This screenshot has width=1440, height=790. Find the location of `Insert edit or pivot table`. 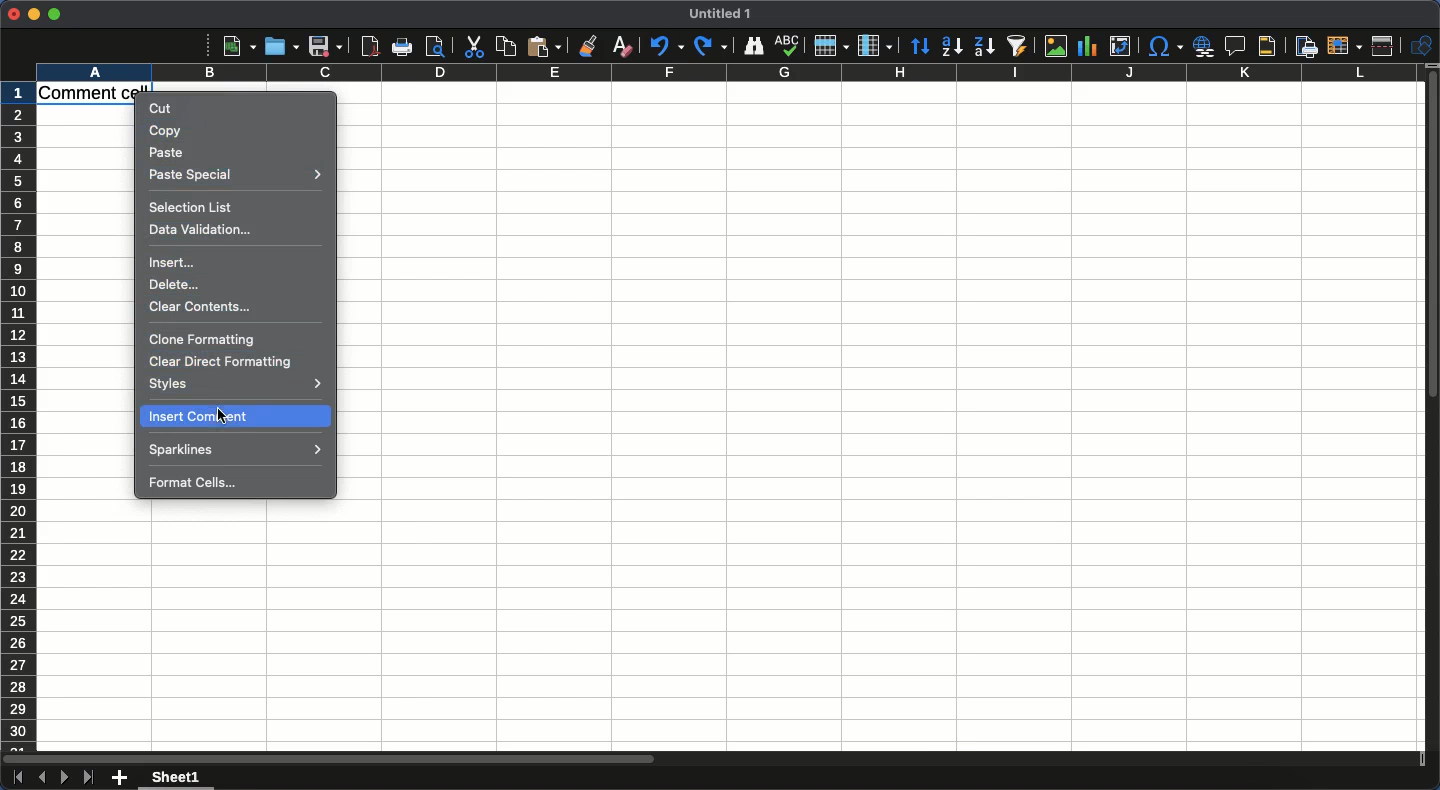

Insert edit or pivot table is located at coordinates (1120, 45).